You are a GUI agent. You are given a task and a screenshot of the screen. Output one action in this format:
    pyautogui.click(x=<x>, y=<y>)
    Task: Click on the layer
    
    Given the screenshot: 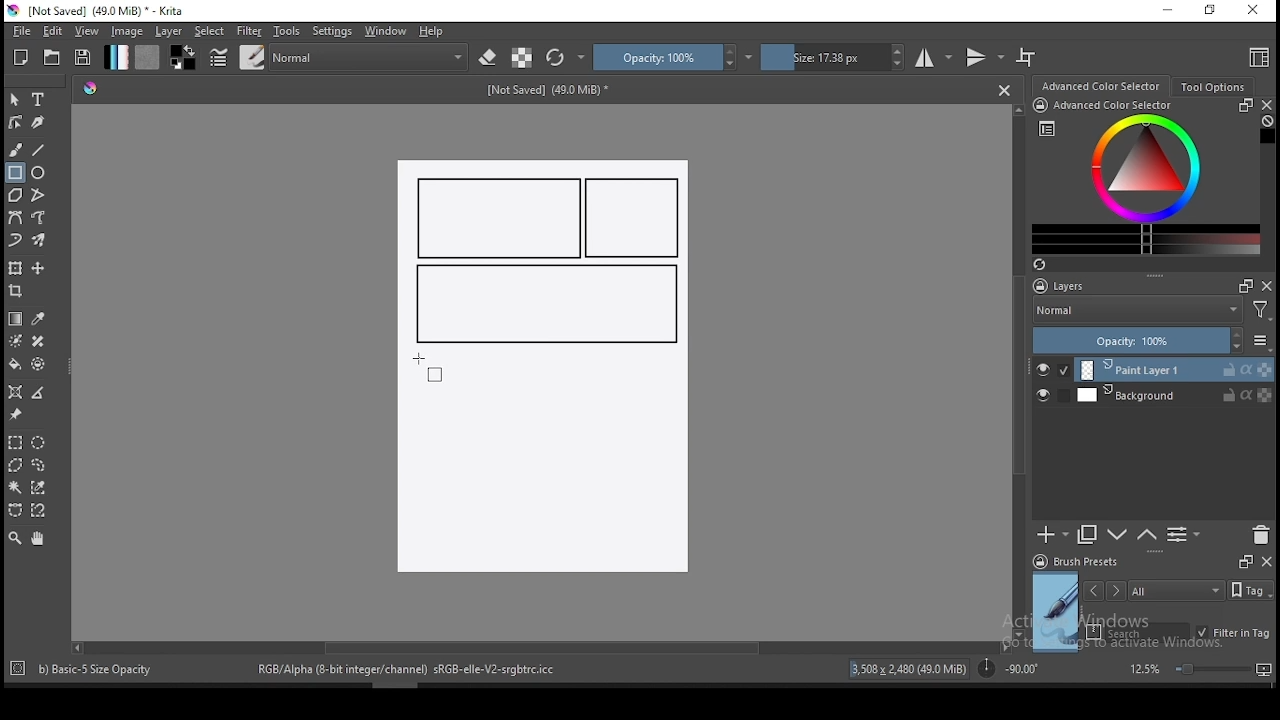 What is the action you would take?
    pyautogui.click(x=1174, y=395)
    